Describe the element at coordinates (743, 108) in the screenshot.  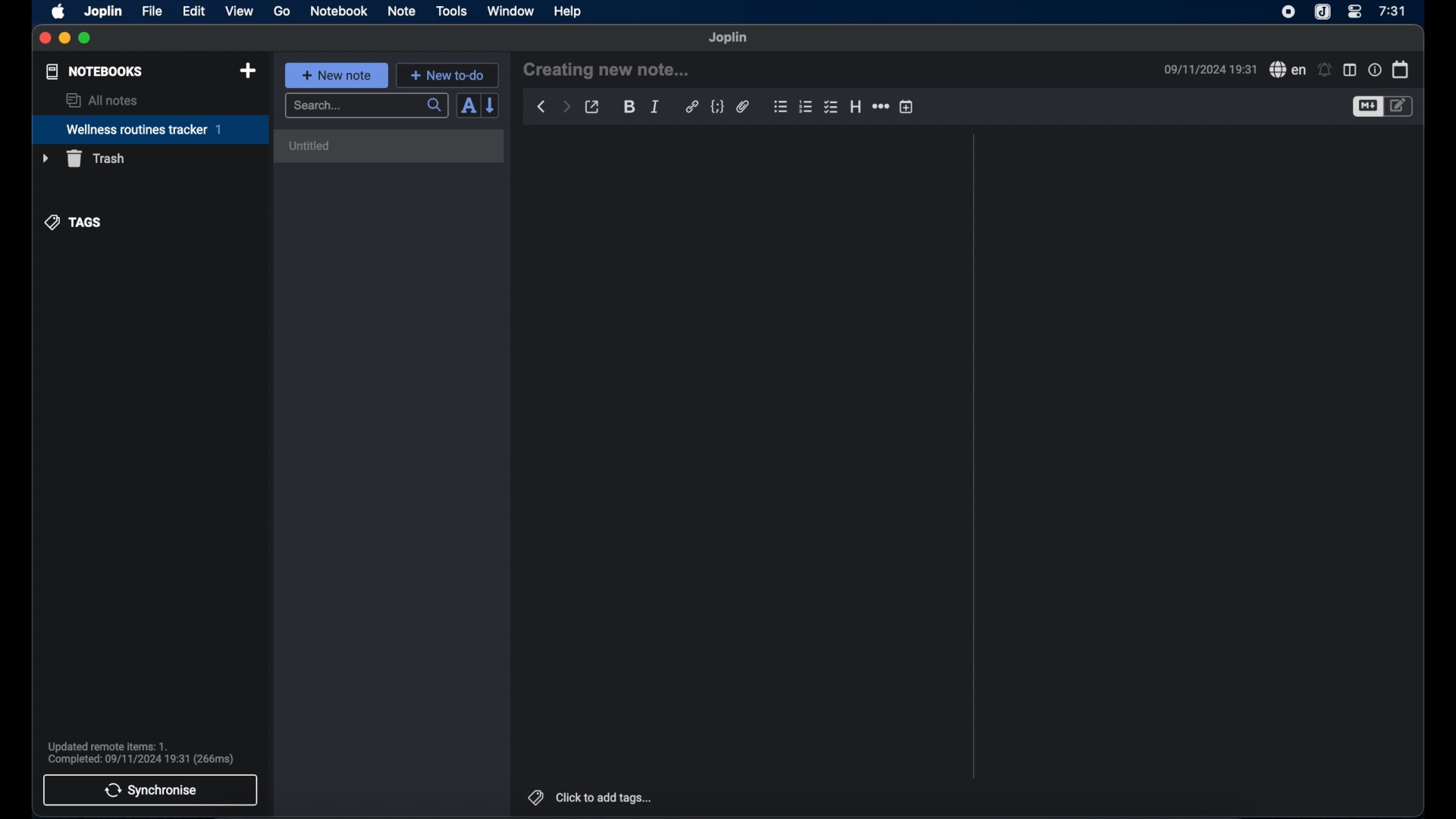
I see `attach file` at that location.